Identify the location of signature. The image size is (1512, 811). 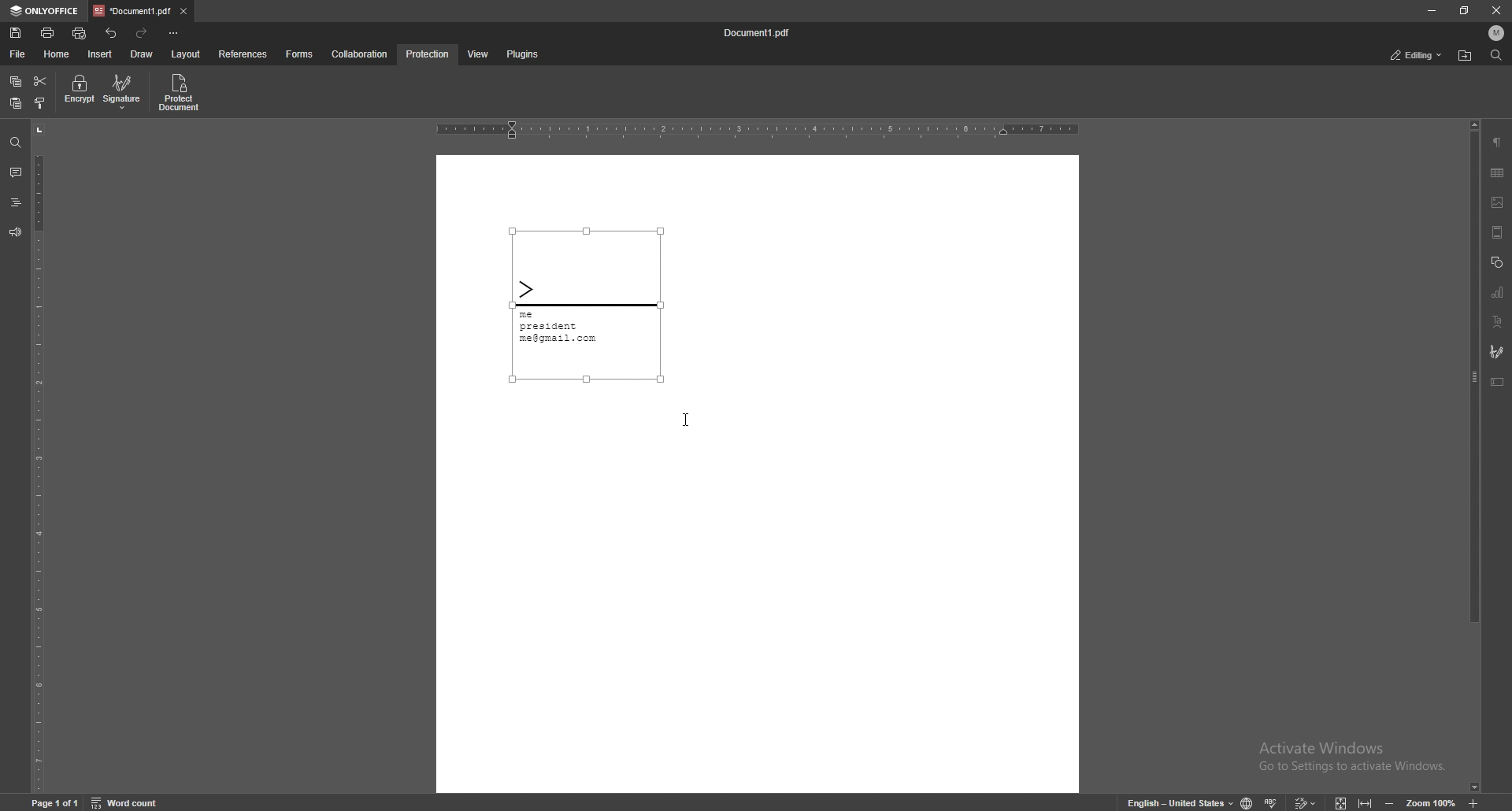
(1497, 352).